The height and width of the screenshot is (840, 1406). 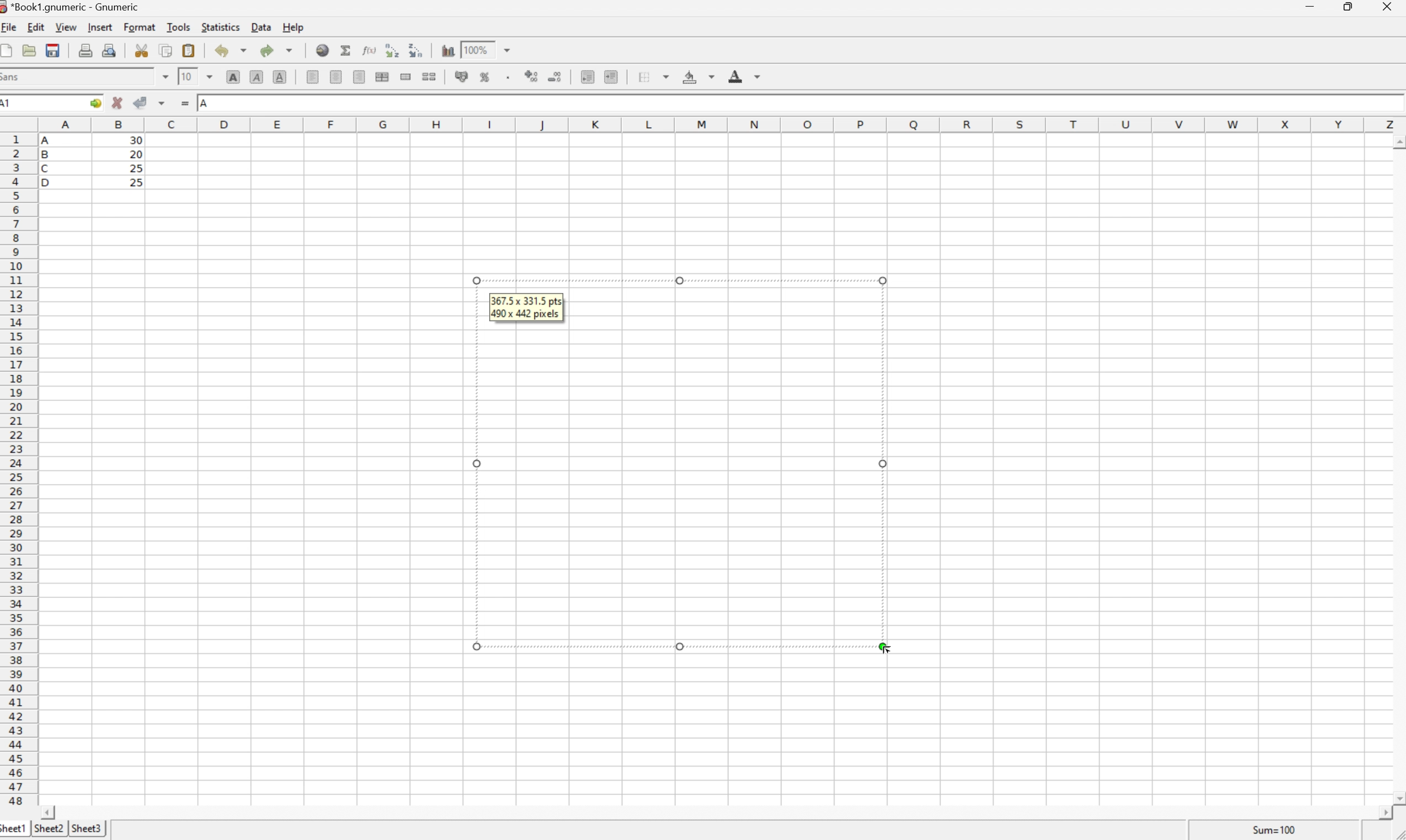 What do you see at coordinates (337, 78) in the screenshot?
I see `Center horizontally` at bounding box center [337, 78].